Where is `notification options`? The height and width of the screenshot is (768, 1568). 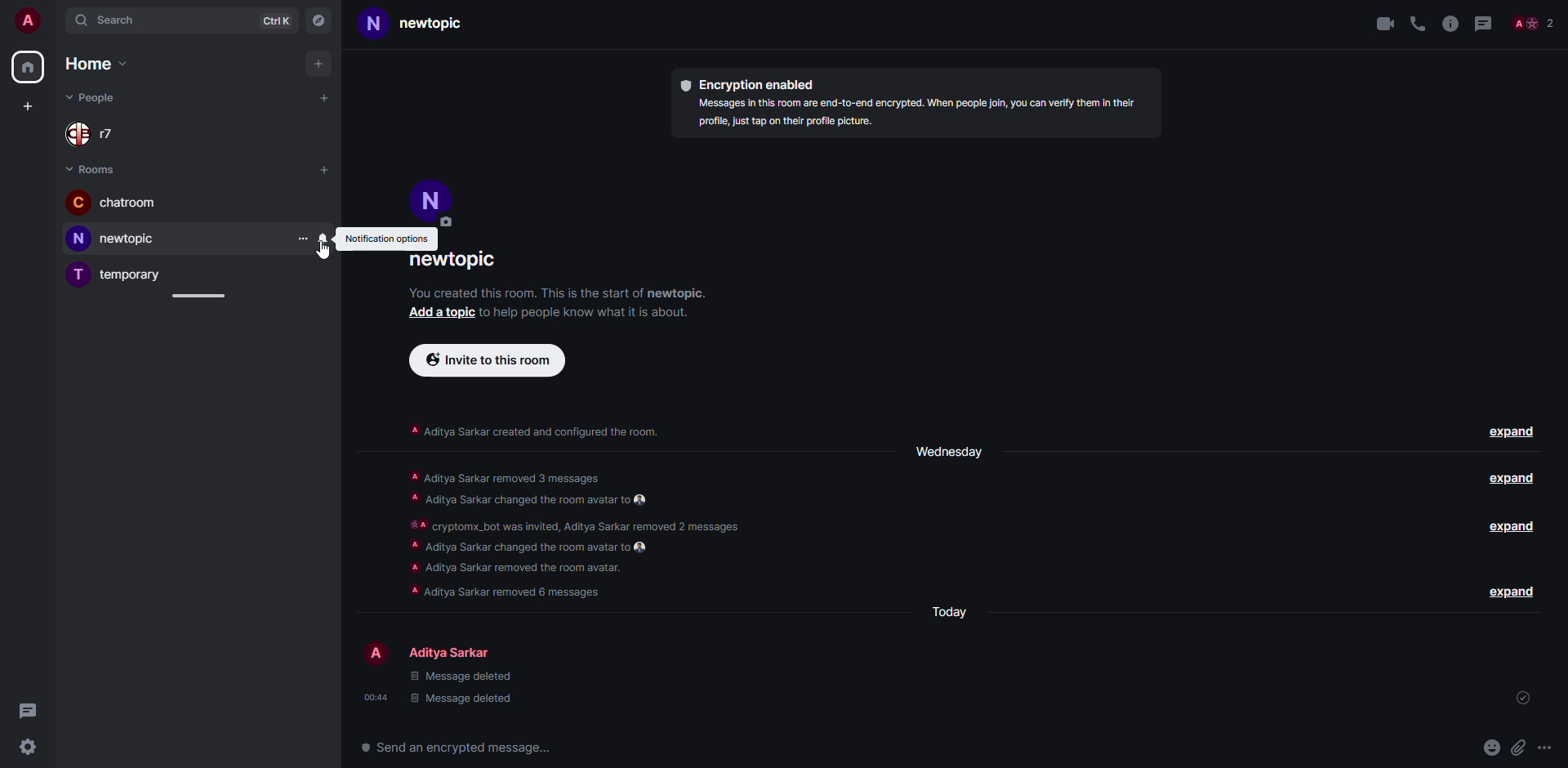
notification options is located at coordinates (385, 239).